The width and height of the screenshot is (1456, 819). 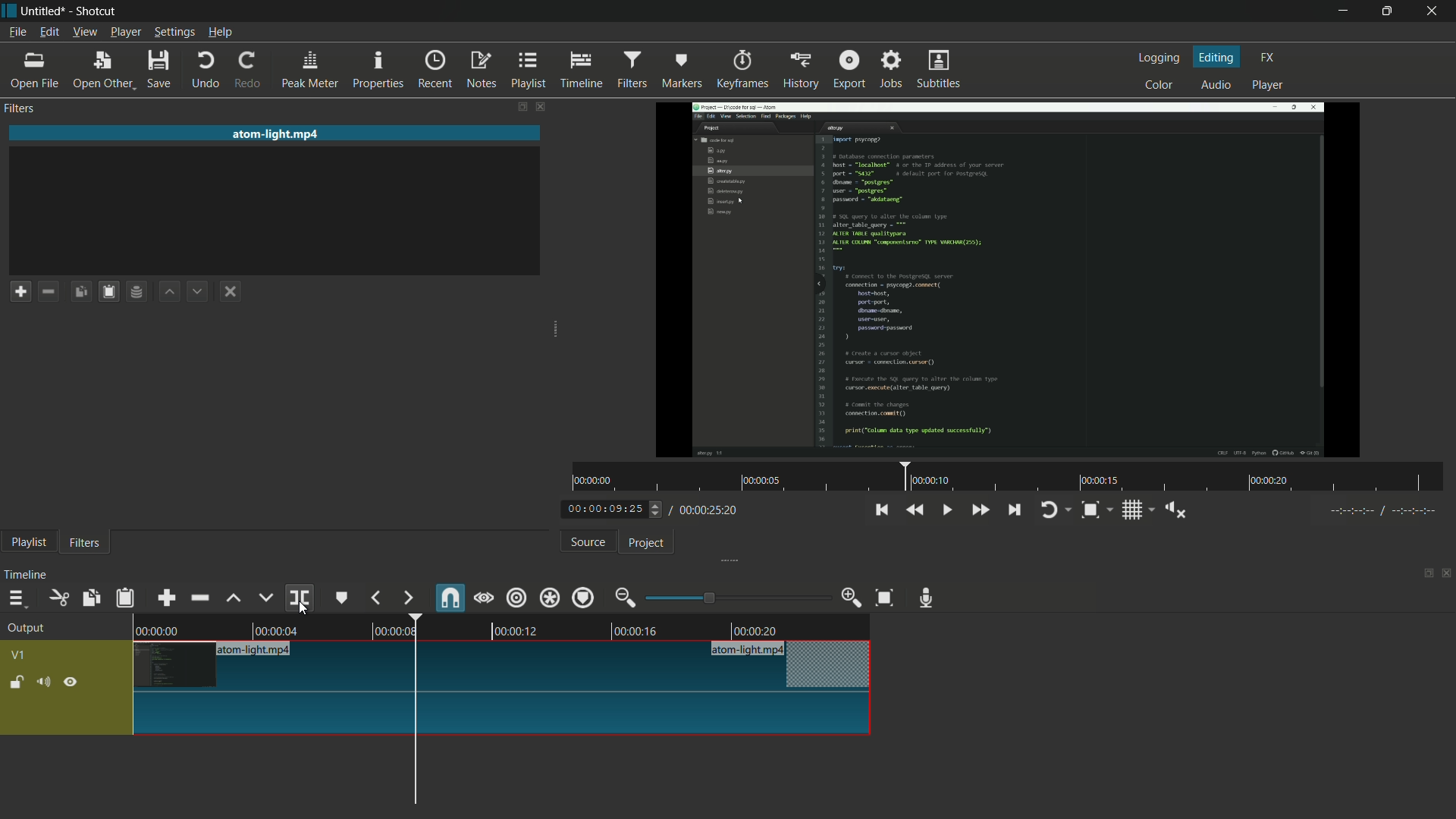 I want to click on deselect the filter, so click(x=234, y=292).